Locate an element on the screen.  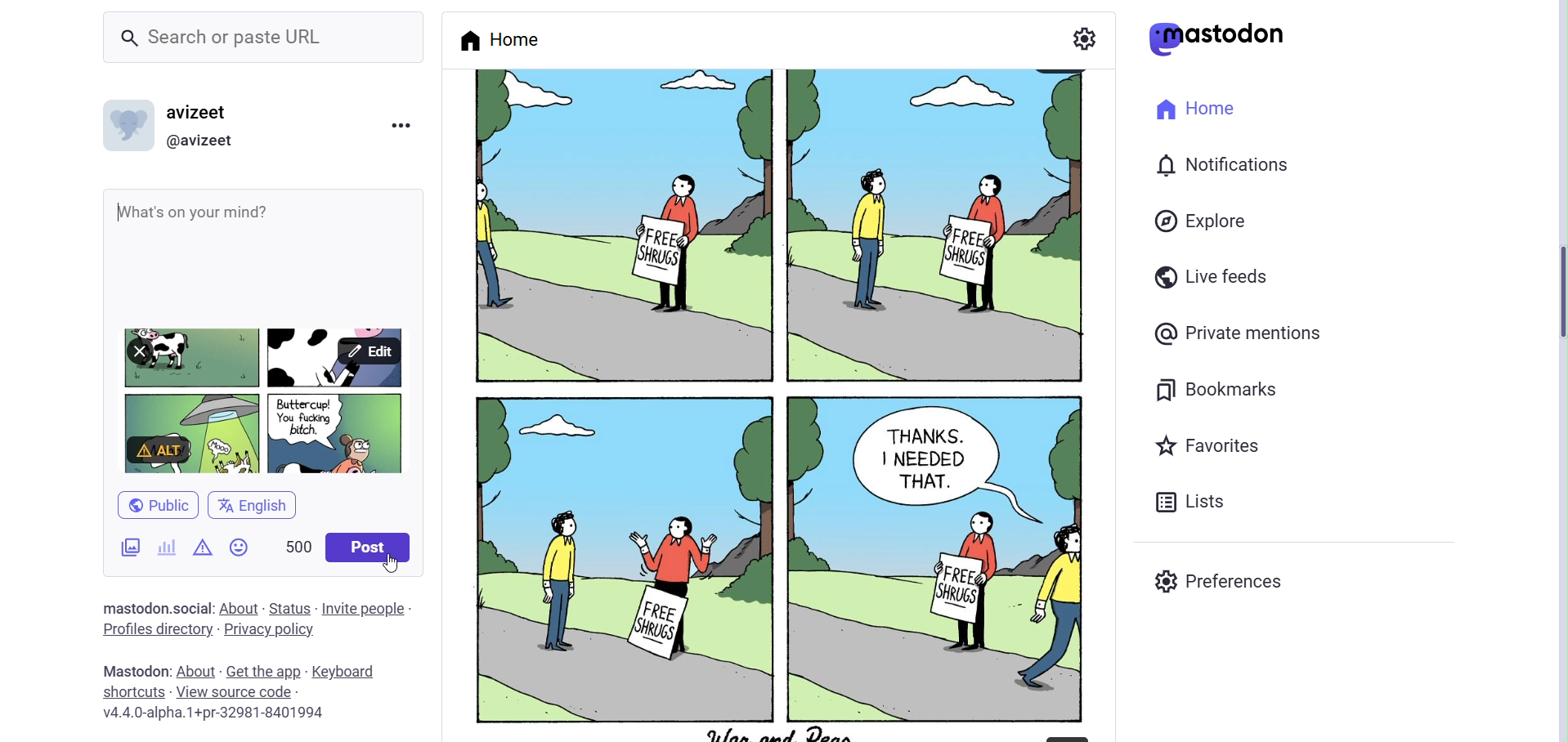
About is located at coordinates (194, 671).